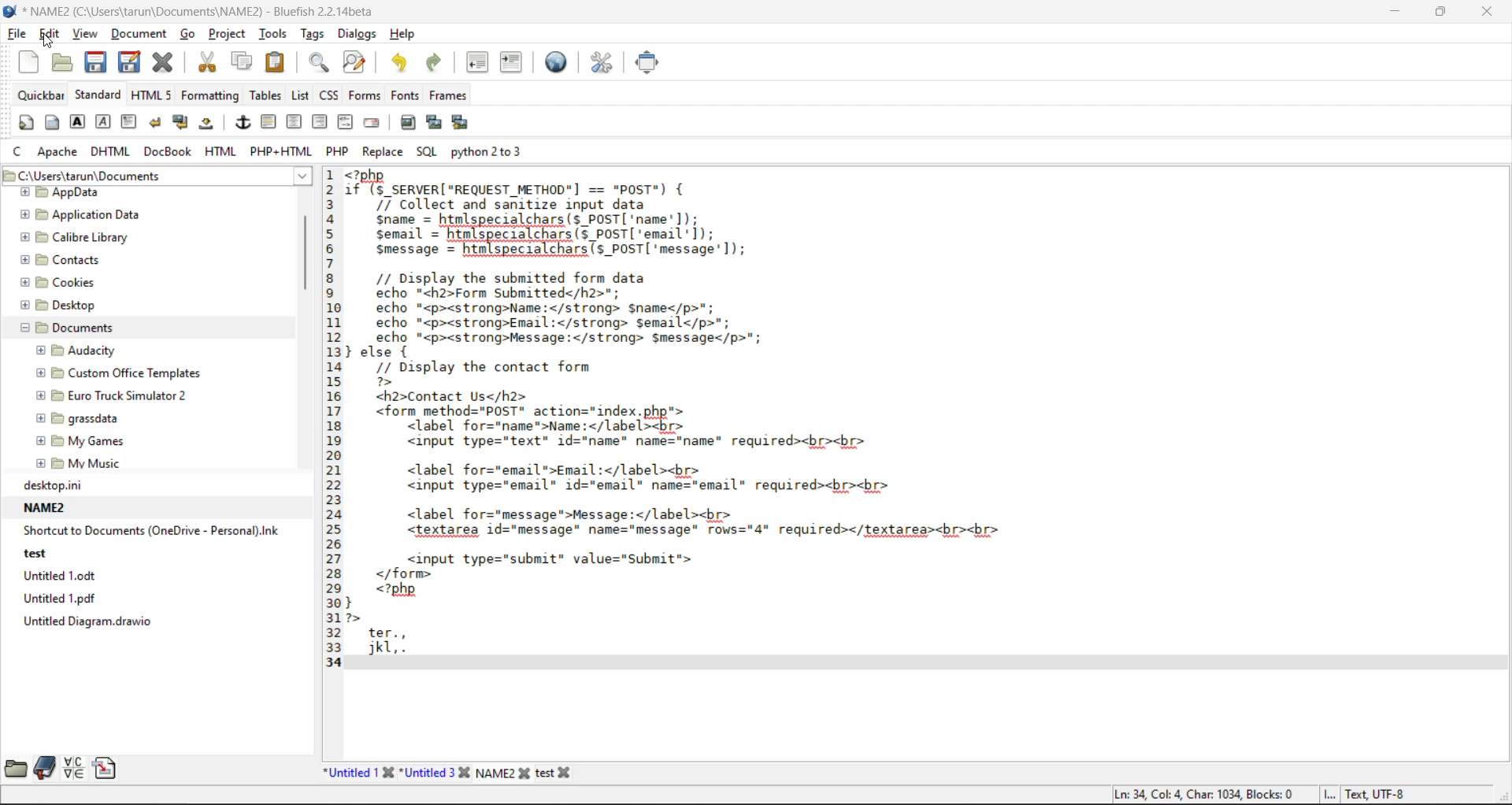 The image size is (1512, 805). I want to click on insert multiple thumbnail, so click(461, 121).